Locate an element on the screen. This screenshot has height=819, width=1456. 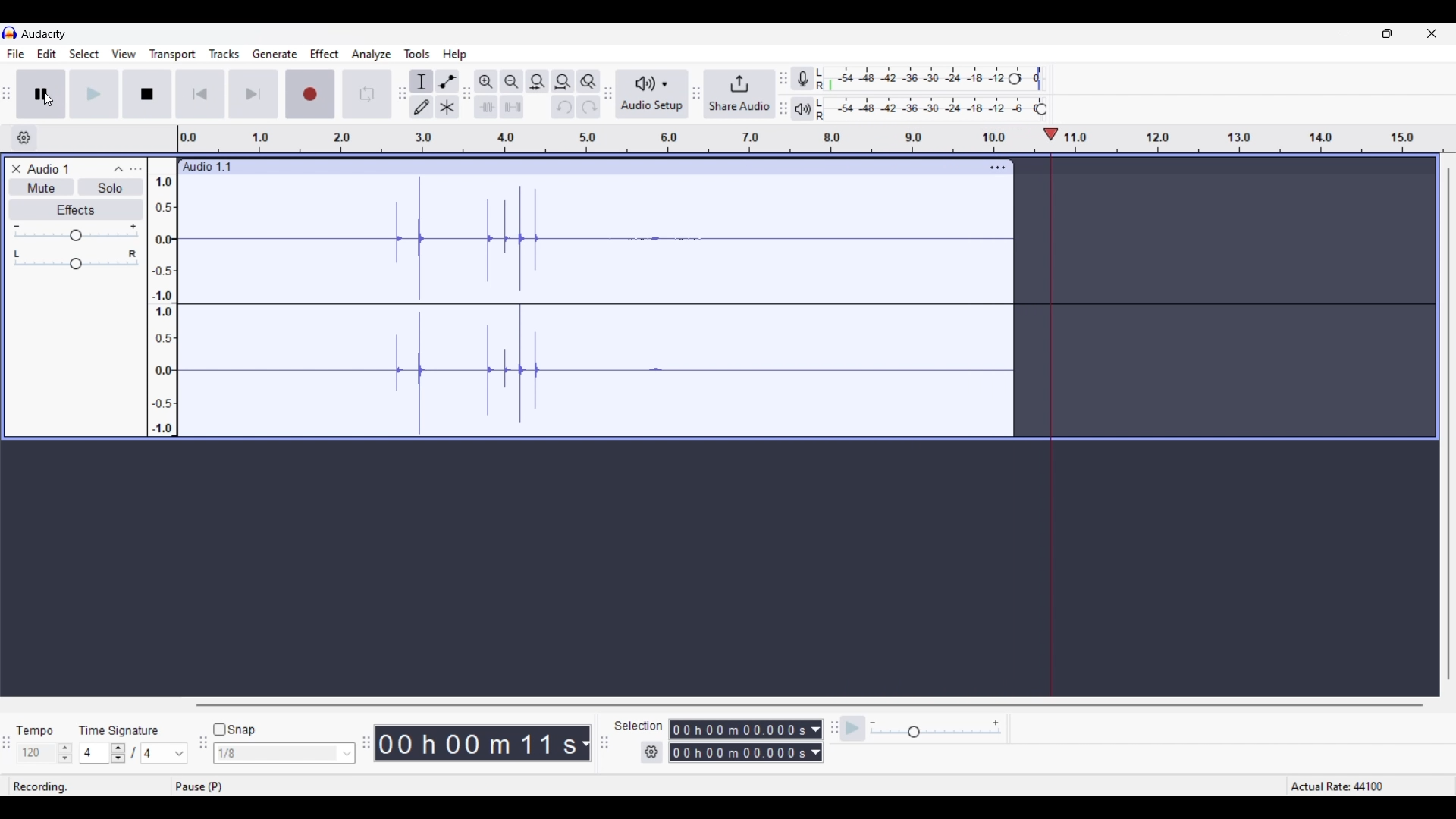
Pause is located at coordinates (41, 94).